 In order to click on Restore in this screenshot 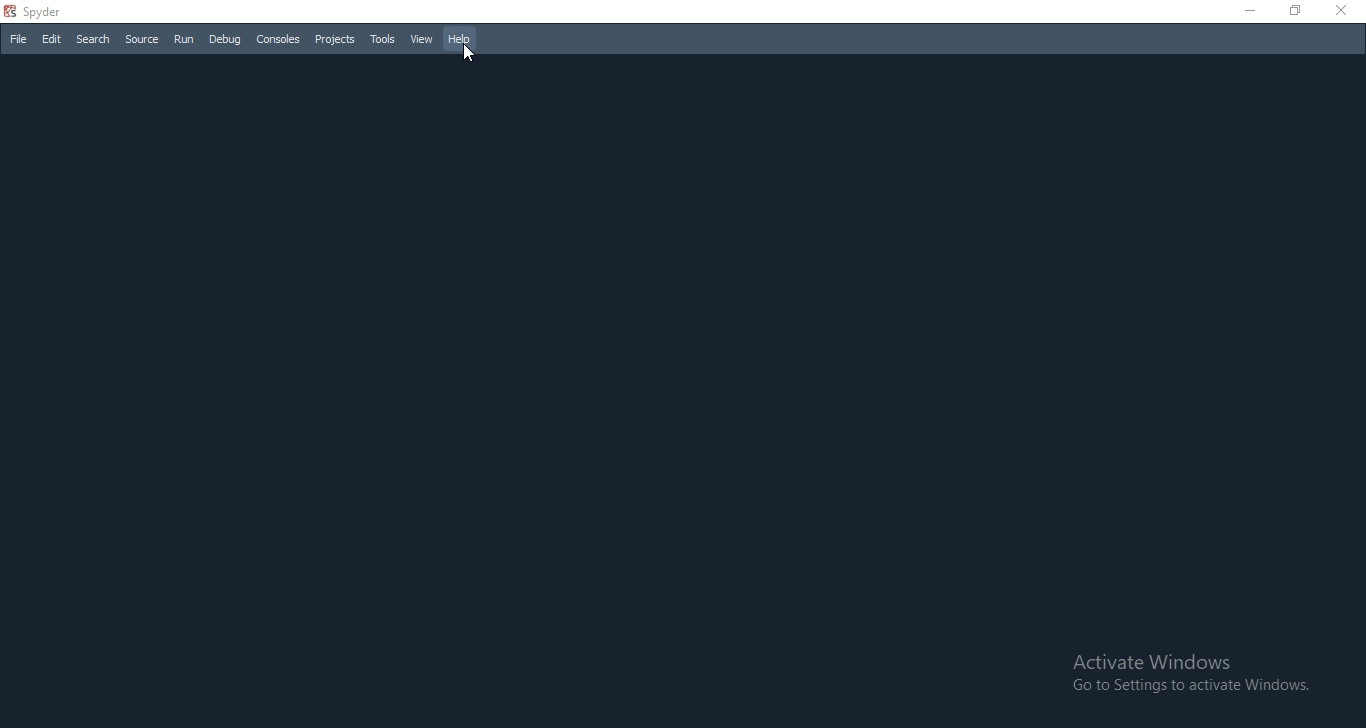, I will do `click(1298, 12)`.